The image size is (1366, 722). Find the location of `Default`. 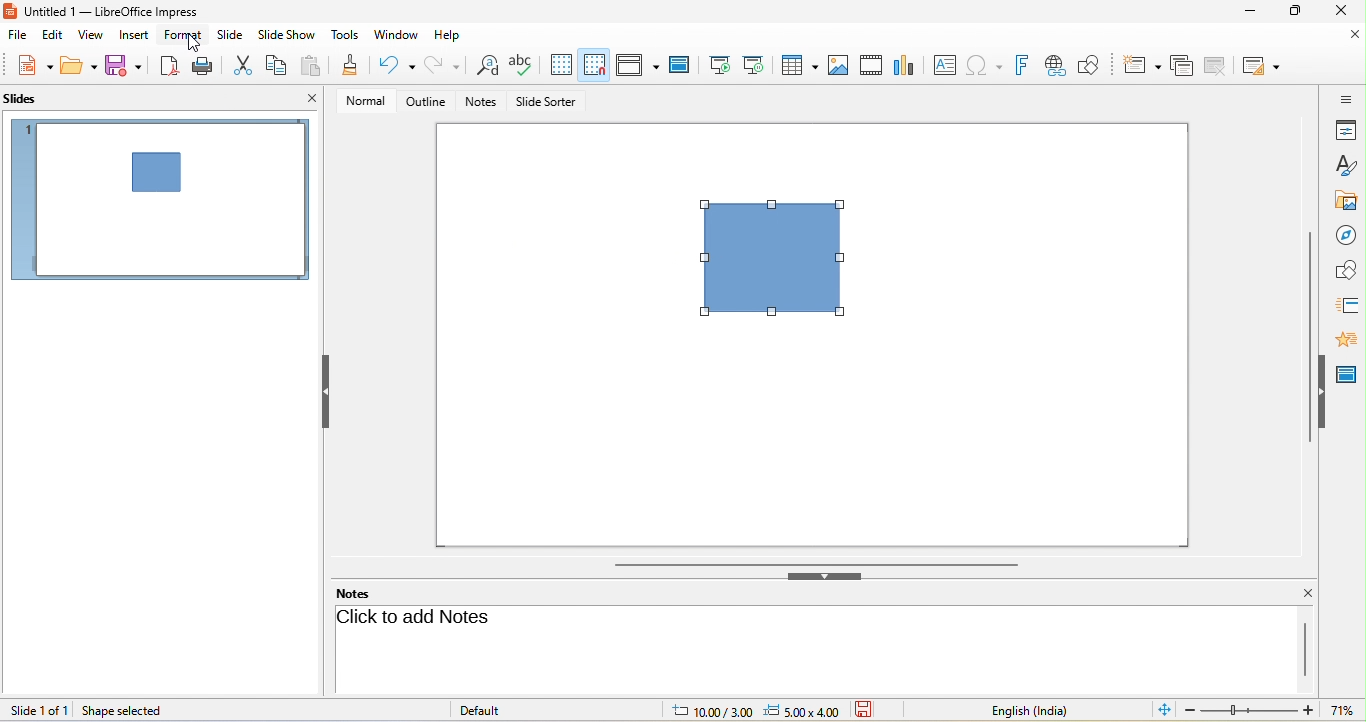

Default is located at coordinates (496, 710).